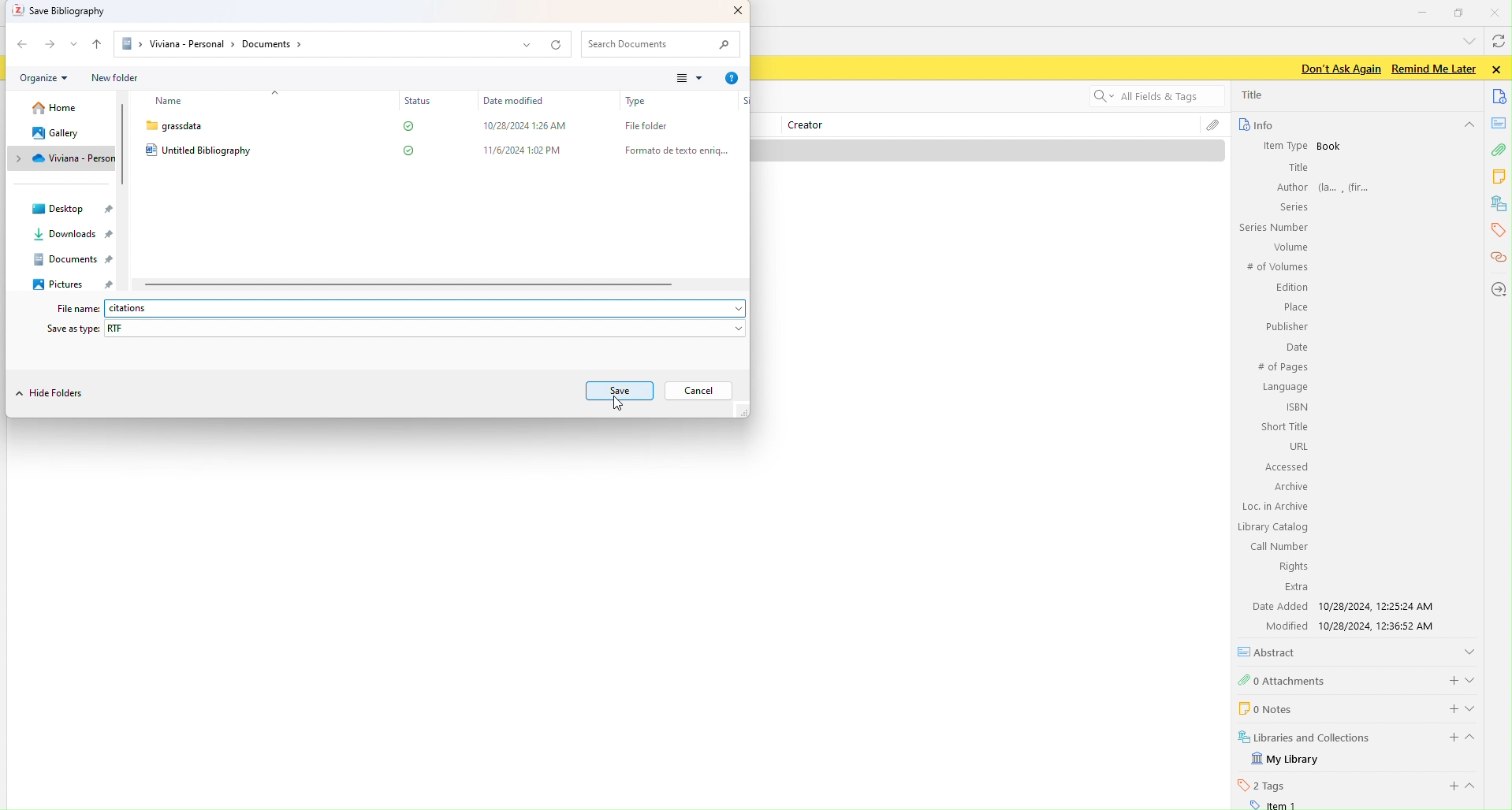  I want to click on ‘Volume, so click(1288, 247).